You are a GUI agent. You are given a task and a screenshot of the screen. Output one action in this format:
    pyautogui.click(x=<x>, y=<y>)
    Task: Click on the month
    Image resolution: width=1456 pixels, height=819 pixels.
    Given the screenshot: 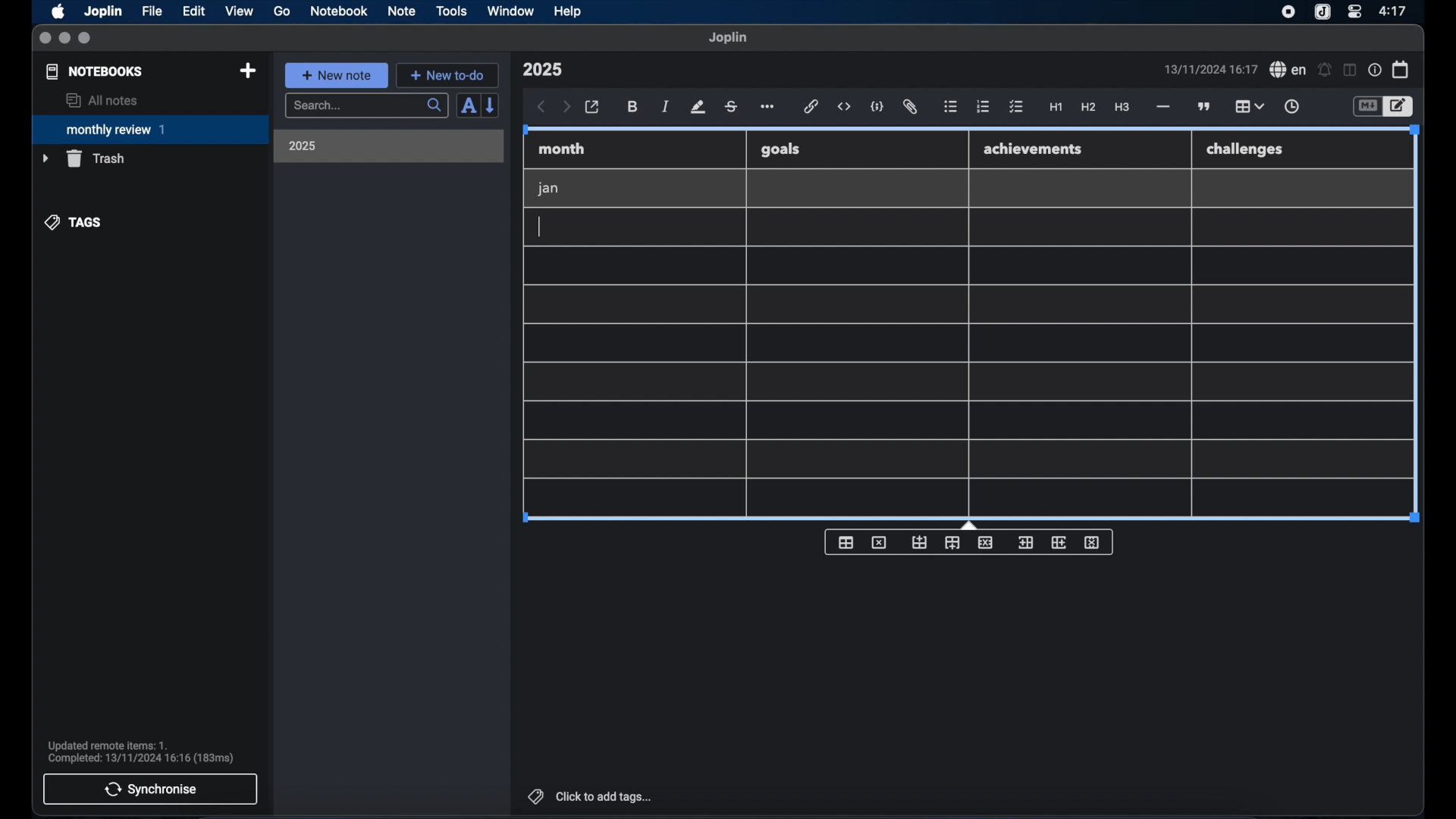 What is the action you would take?
    pyautogui.click(x=562, y=149)
    